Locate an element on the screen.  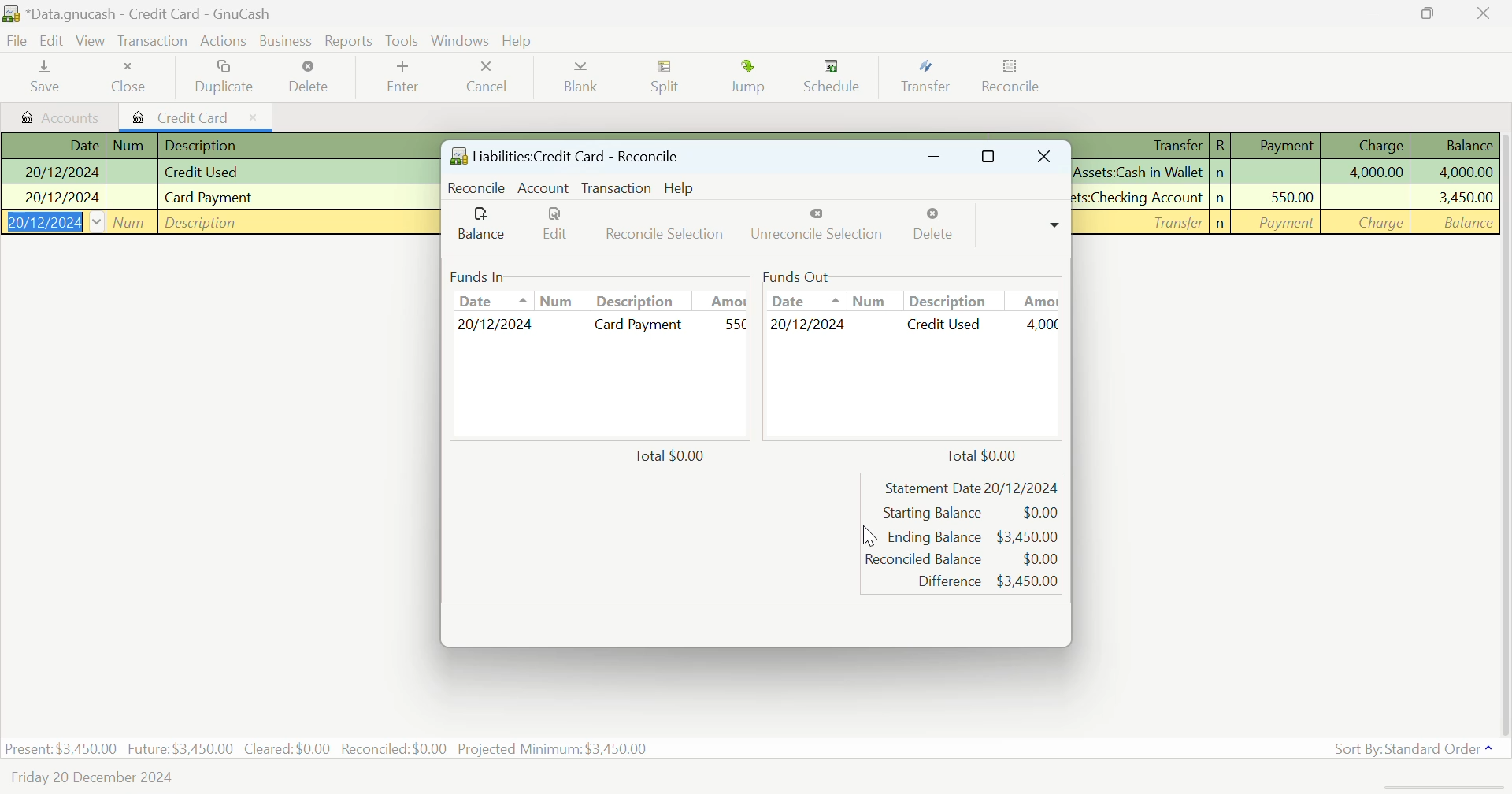
Funds Out Selection is located at coordinates (912, 289).